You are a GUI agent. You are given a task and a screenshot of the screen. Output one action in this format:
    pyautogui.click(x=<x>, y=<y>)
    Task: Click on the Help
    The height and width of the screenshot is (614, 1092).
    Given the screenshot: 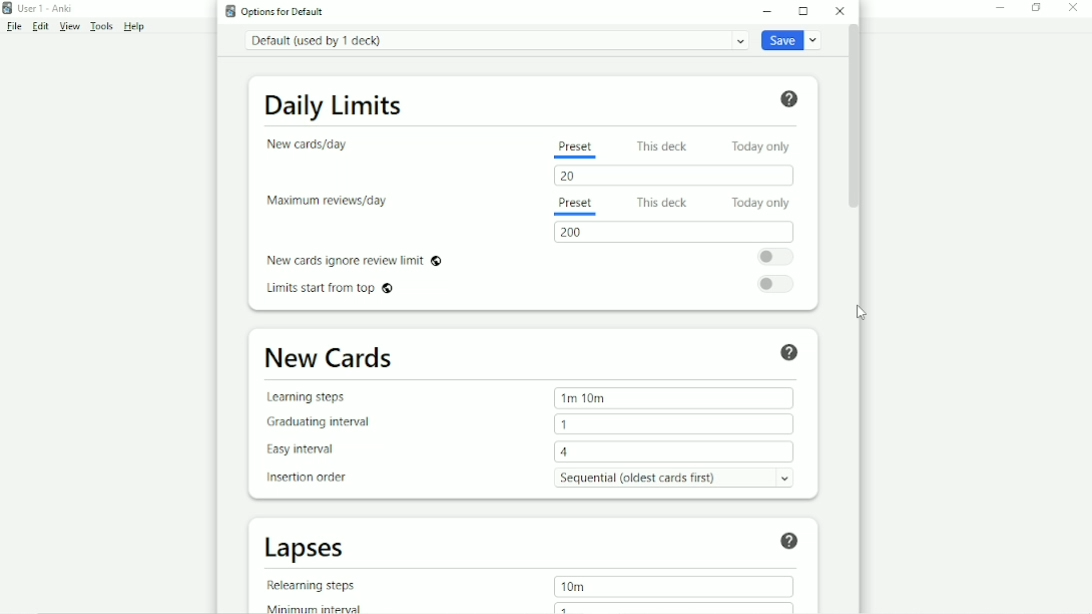 What is the action you would take?
    pyautogui.click(x=793, y=99)
    